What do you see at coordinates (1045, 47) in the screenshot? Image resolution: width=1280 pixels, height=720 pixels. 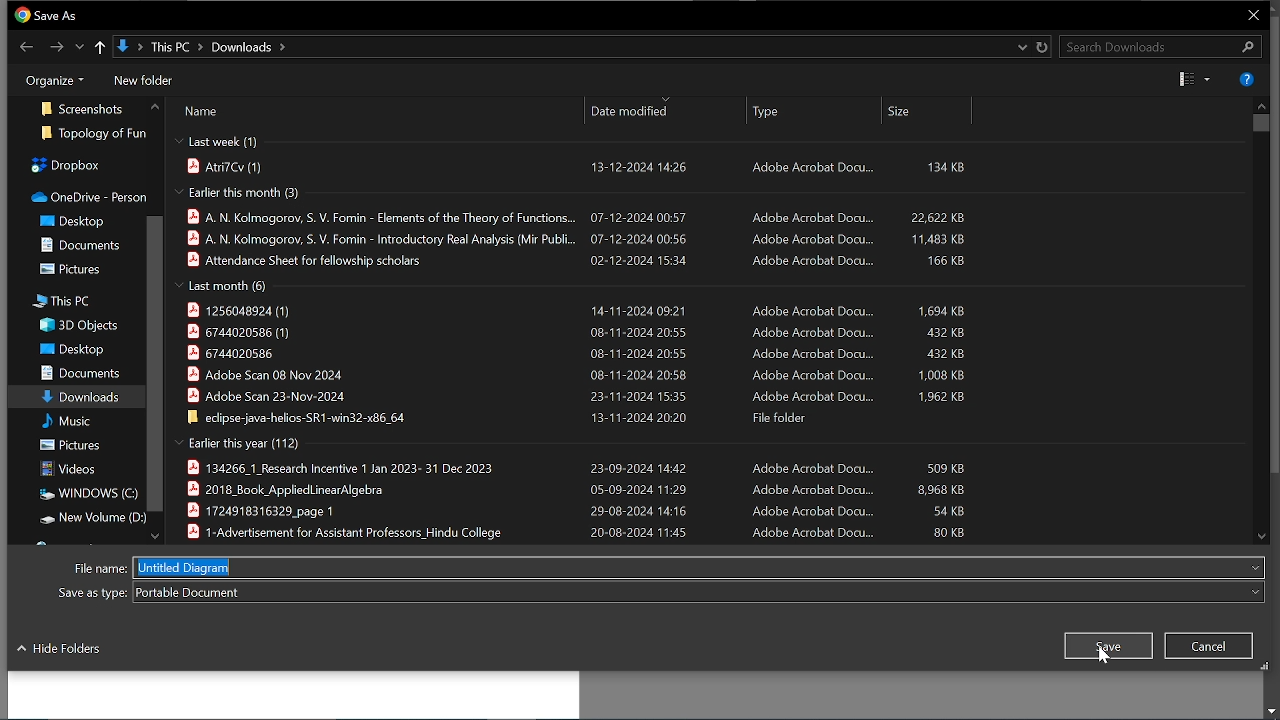 I see `Refresh` at bounding box center [1045, 47].